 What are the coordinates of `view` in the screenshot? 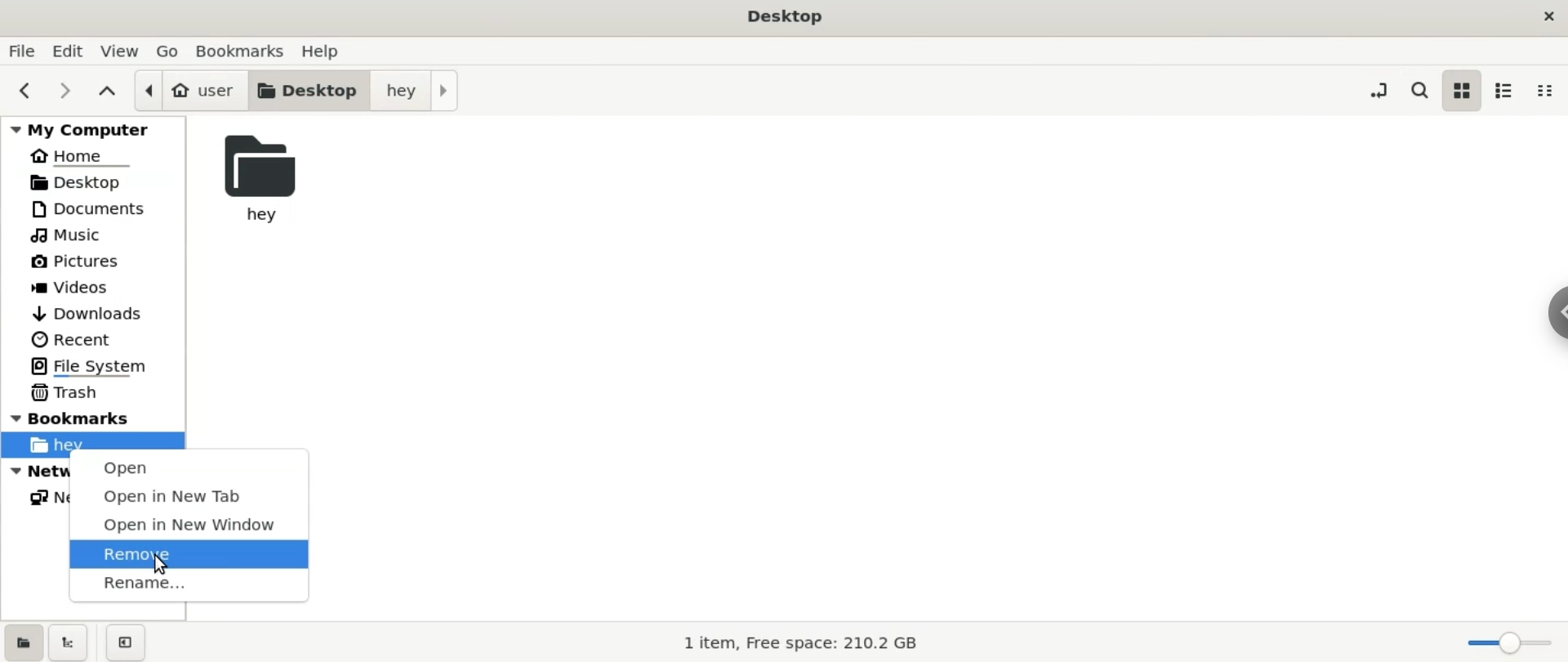 It's located at (119, 50).